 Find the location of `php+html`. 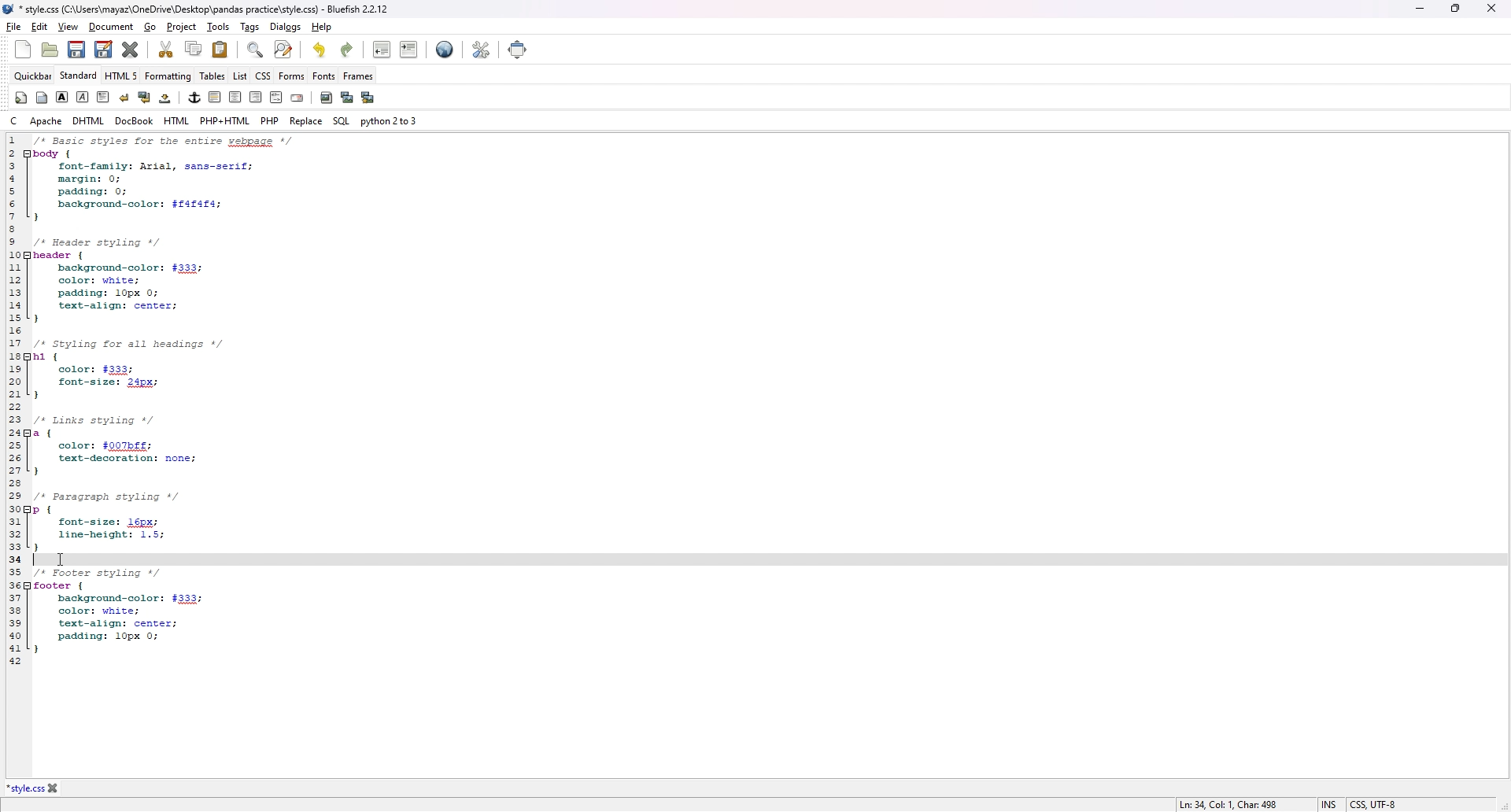

php+html is located at coordinates (227, 120).